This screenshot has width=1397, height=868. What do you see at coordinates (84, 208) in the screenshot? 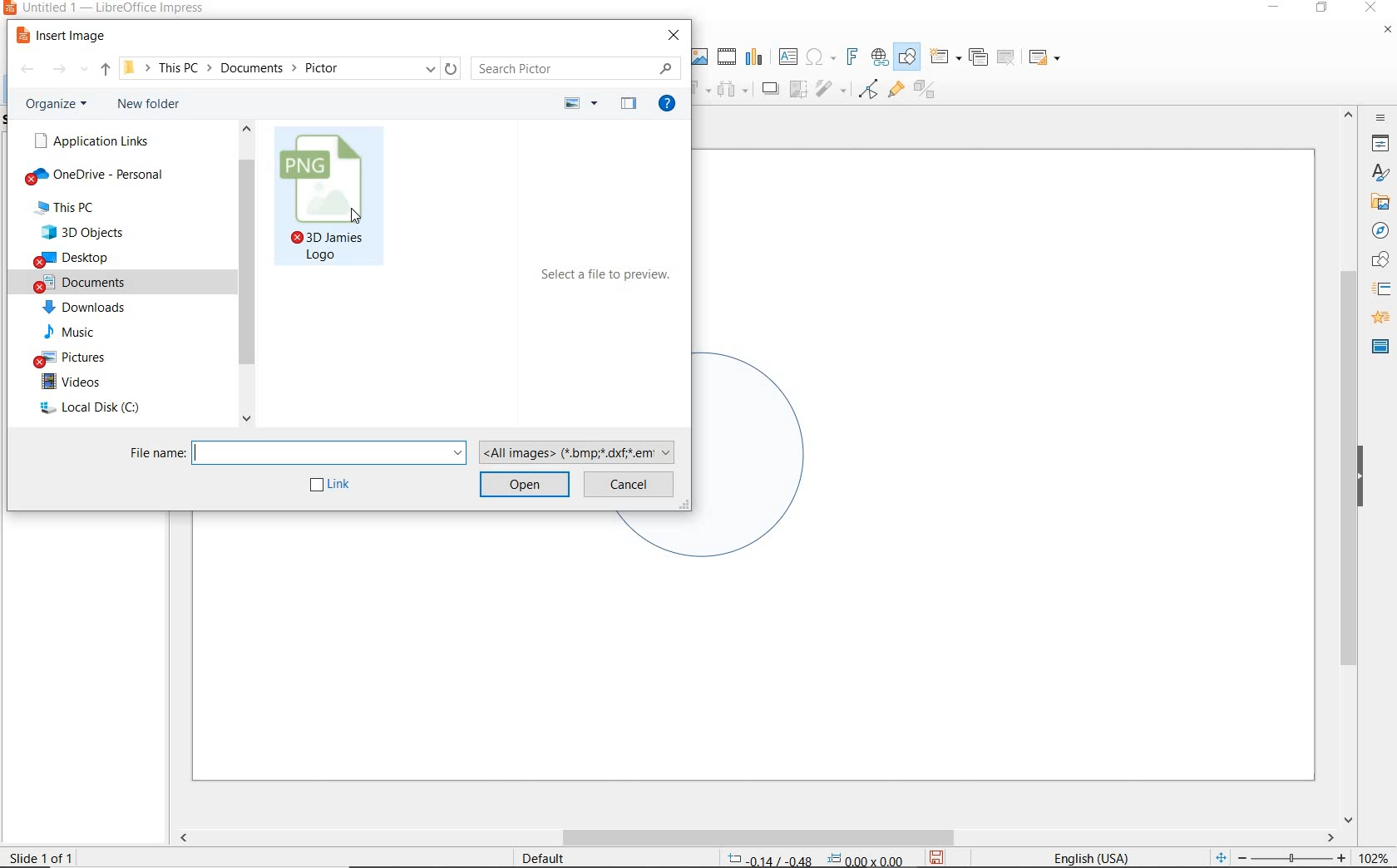
I see `this PC` at bounding box center [84, 208].